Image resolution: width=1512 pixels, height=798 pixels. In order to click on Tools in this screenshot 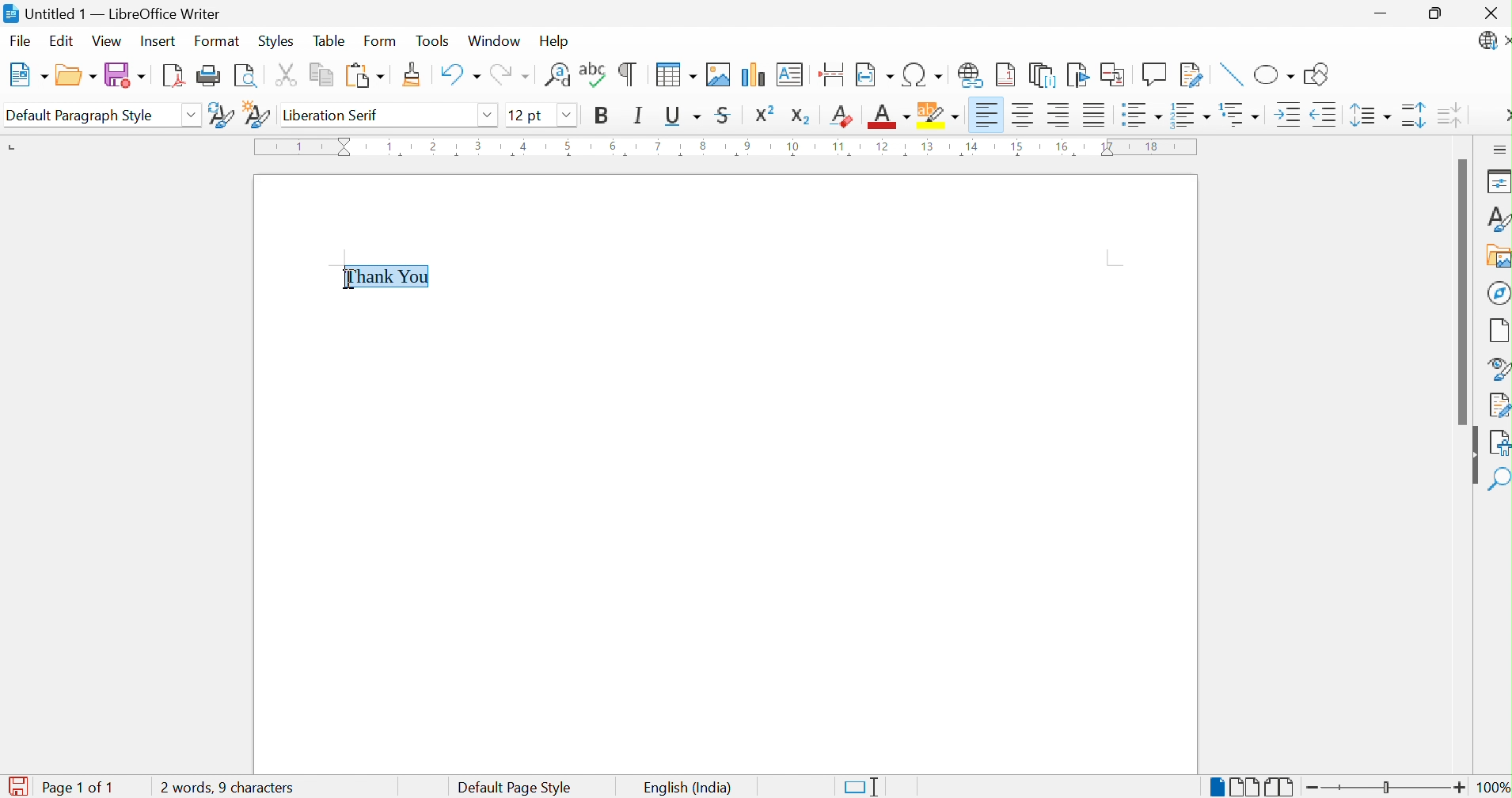, I will do `click(433, 42)`.